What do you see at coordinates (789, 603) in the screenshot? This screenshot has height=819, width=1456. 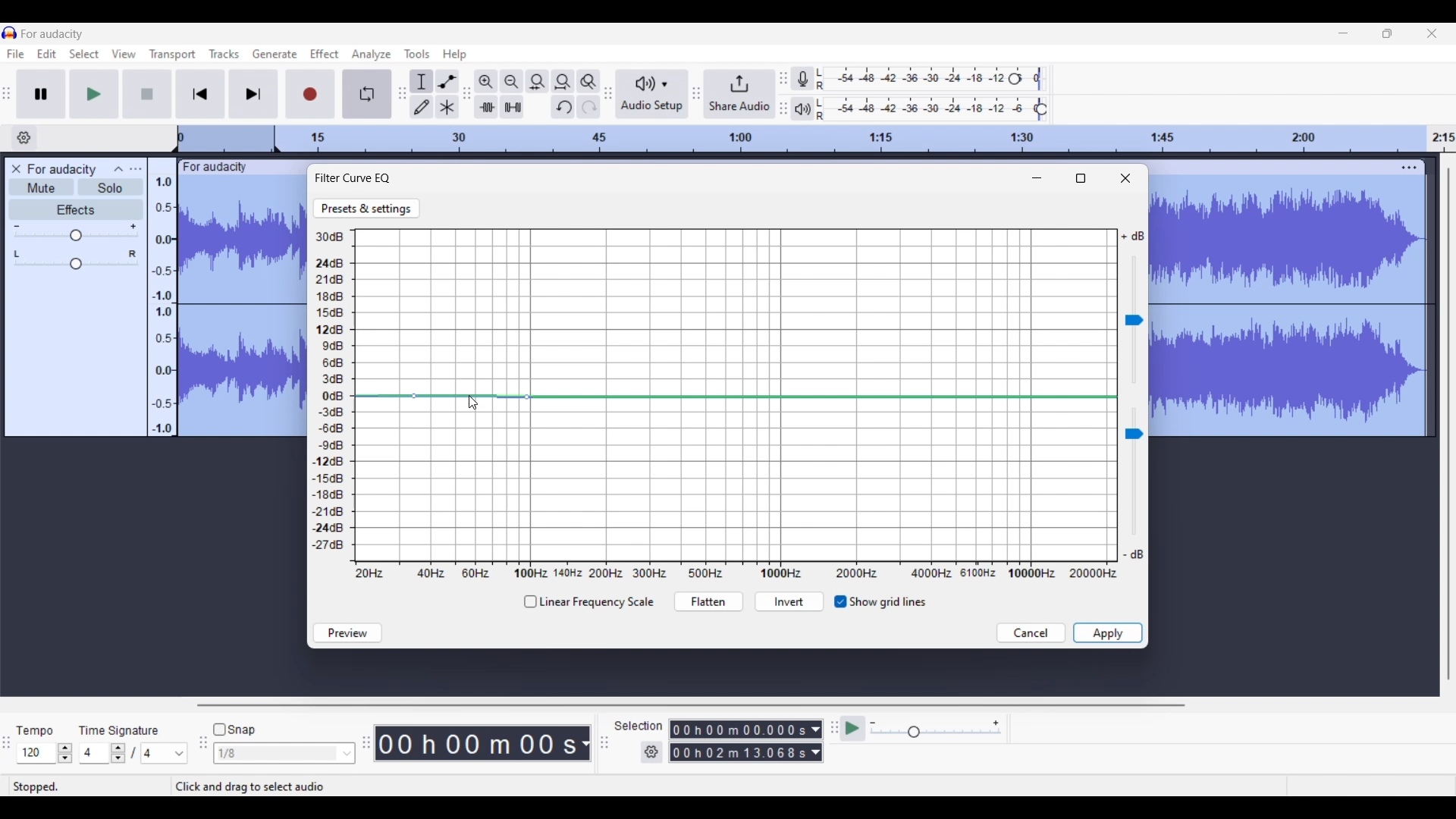 I see `Invert` at bounding box center [789, 603].